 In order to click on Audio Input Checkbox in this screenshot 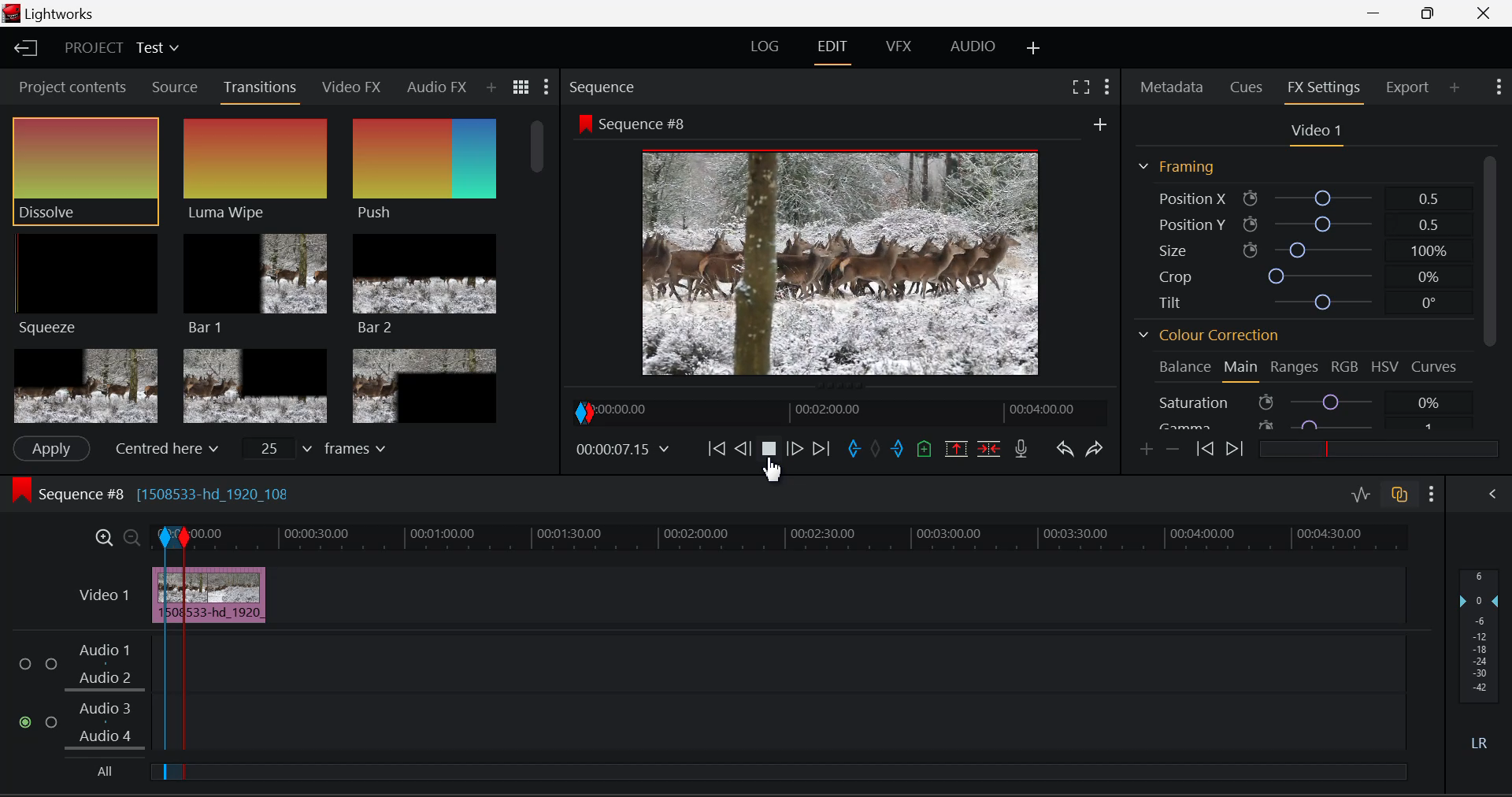, I will do `click(27, 664)`.